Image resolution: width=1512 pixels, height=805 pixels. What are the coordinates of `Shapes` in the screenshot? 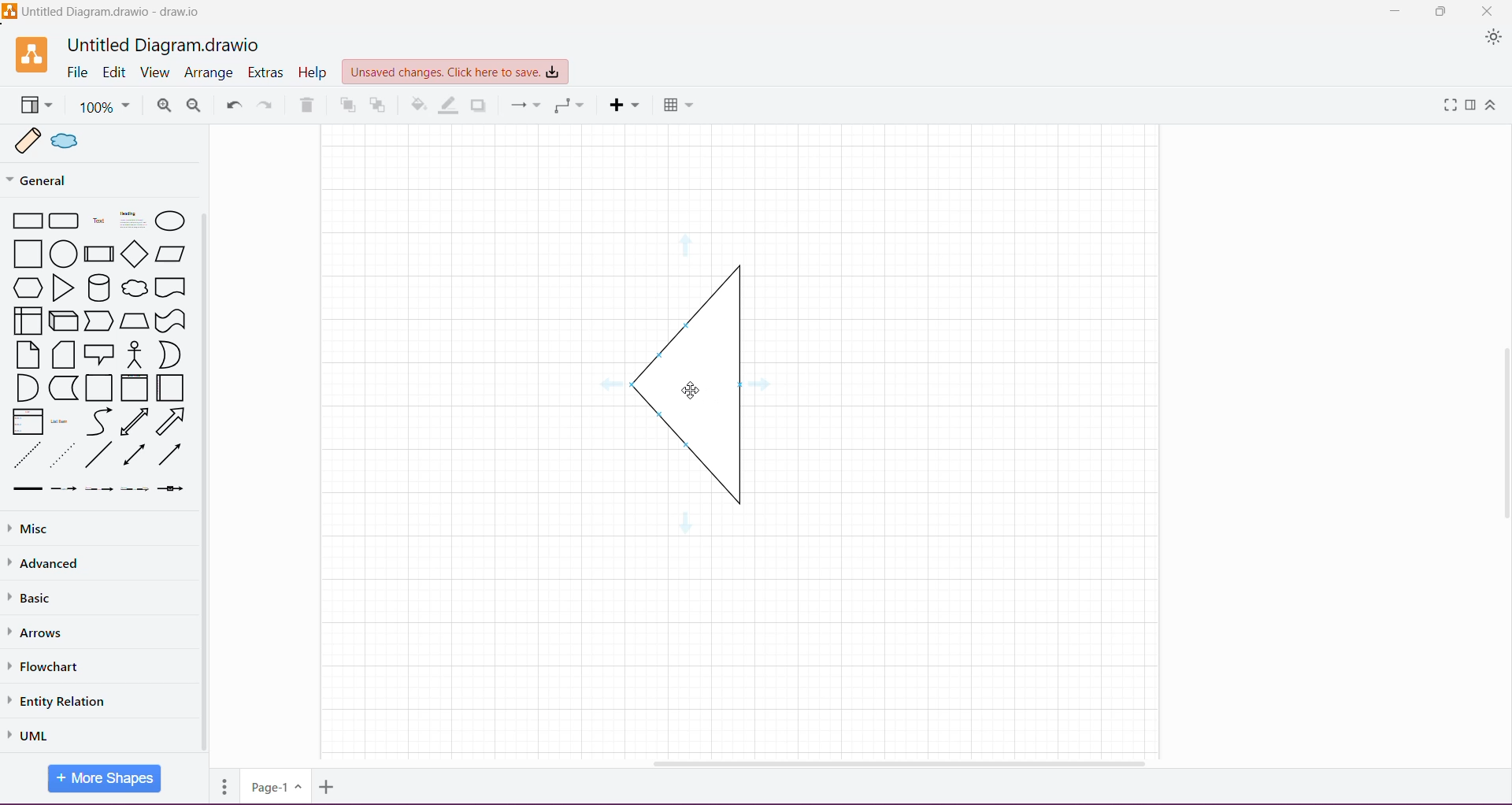 It's located at (100, 351).